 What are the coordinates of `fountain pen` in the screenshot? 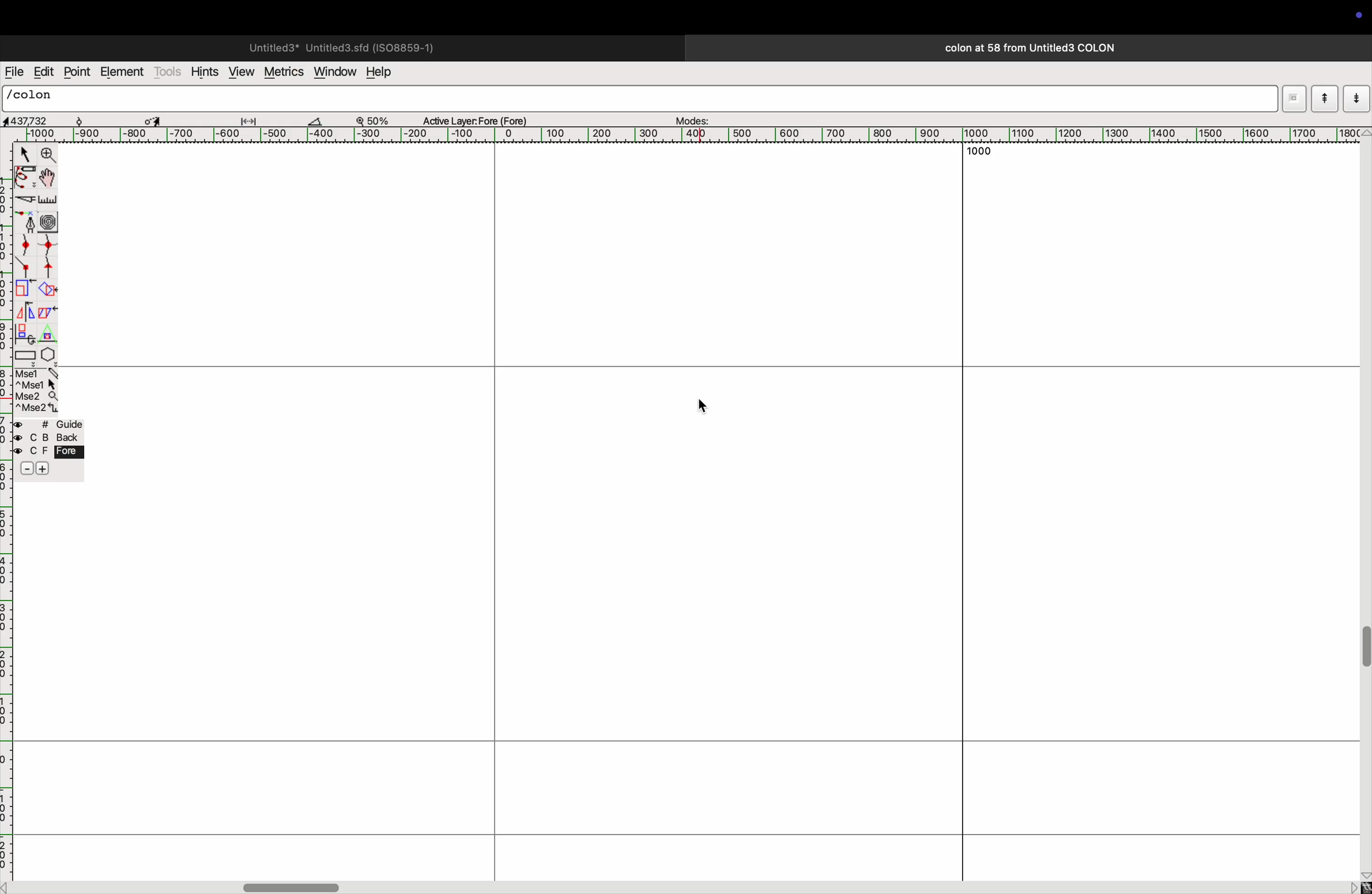 It's located at (26, 221).